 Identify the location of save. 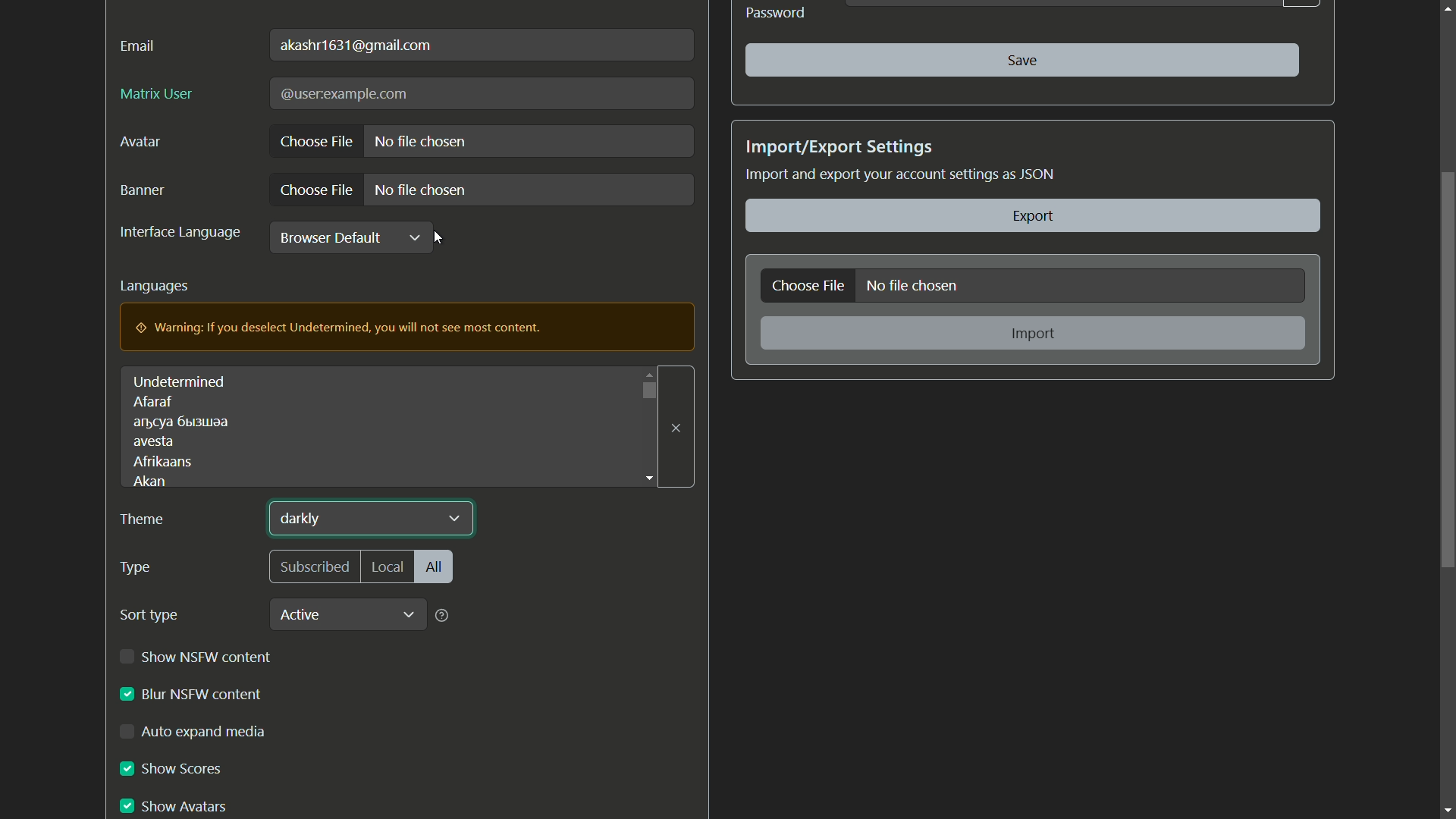
(1022, 61).